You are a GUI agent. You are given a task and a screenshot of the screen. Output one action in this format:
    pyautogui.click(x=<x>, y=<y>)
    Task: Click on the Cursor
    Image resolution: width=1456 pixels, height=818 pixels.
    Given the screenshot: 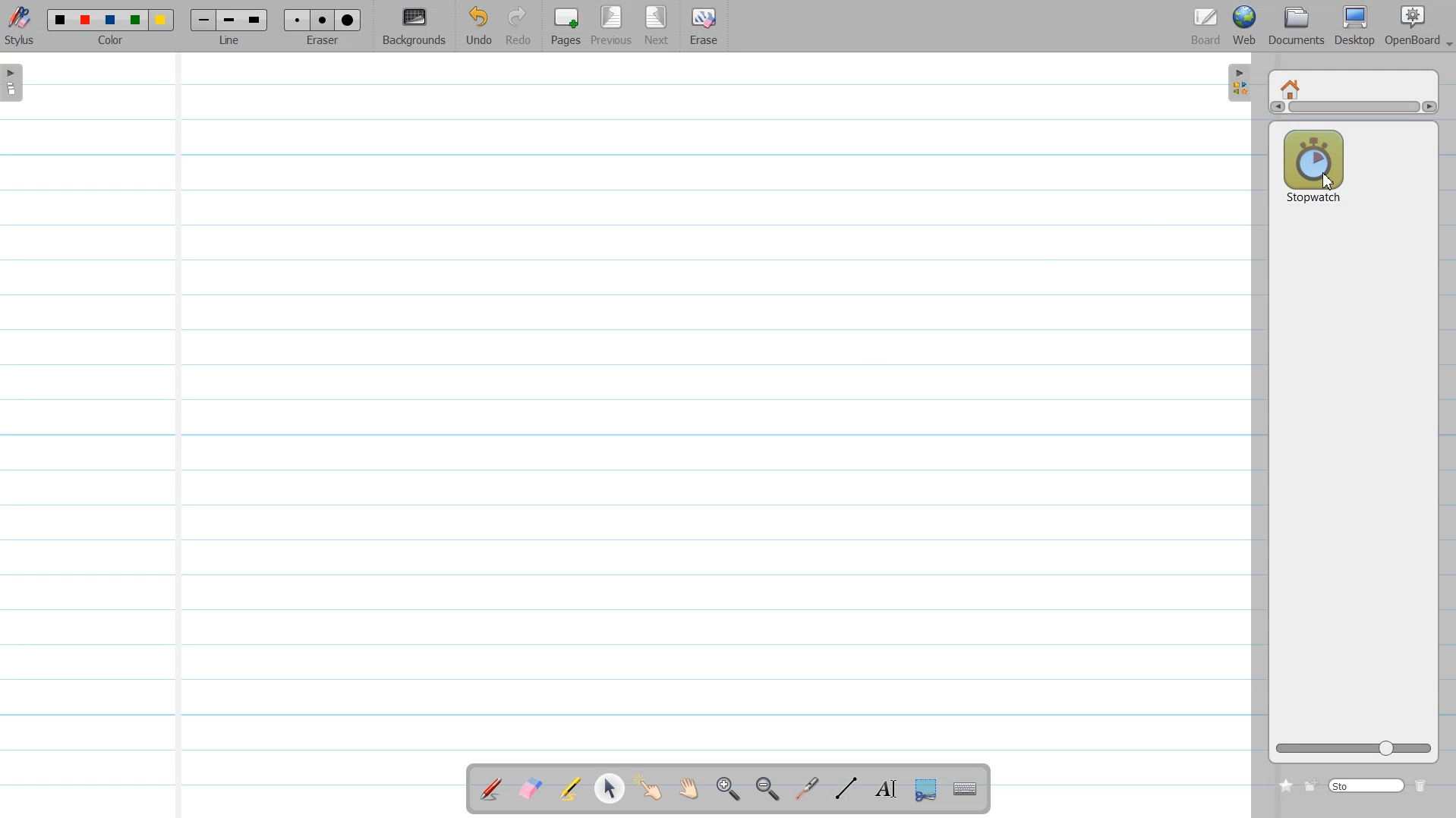 What is the action you would take?
    pyautogui.click(x=1328, y=181)
    